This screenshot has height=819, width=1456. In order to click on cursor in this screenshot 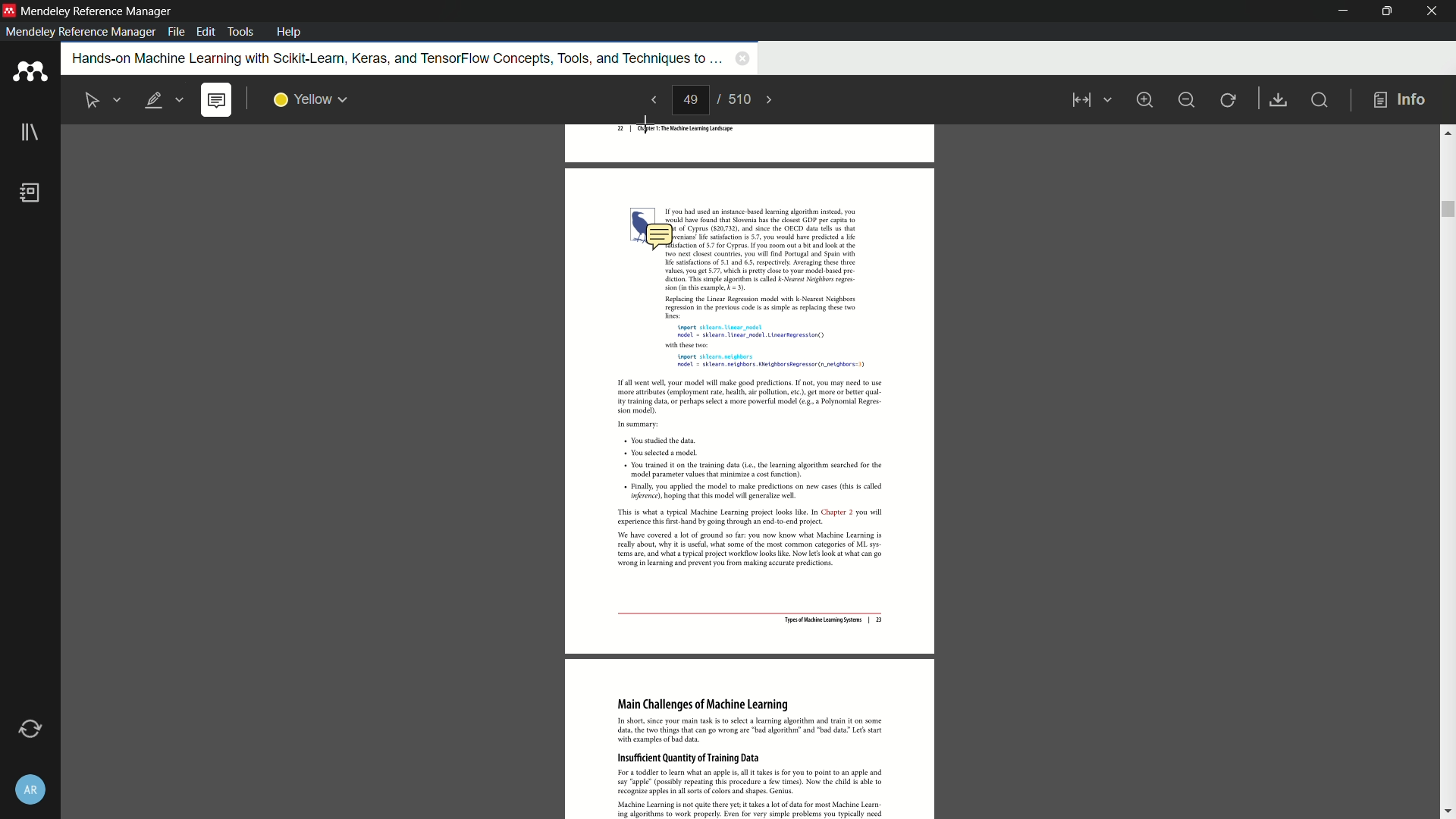, I will do `click(646, 122)`.